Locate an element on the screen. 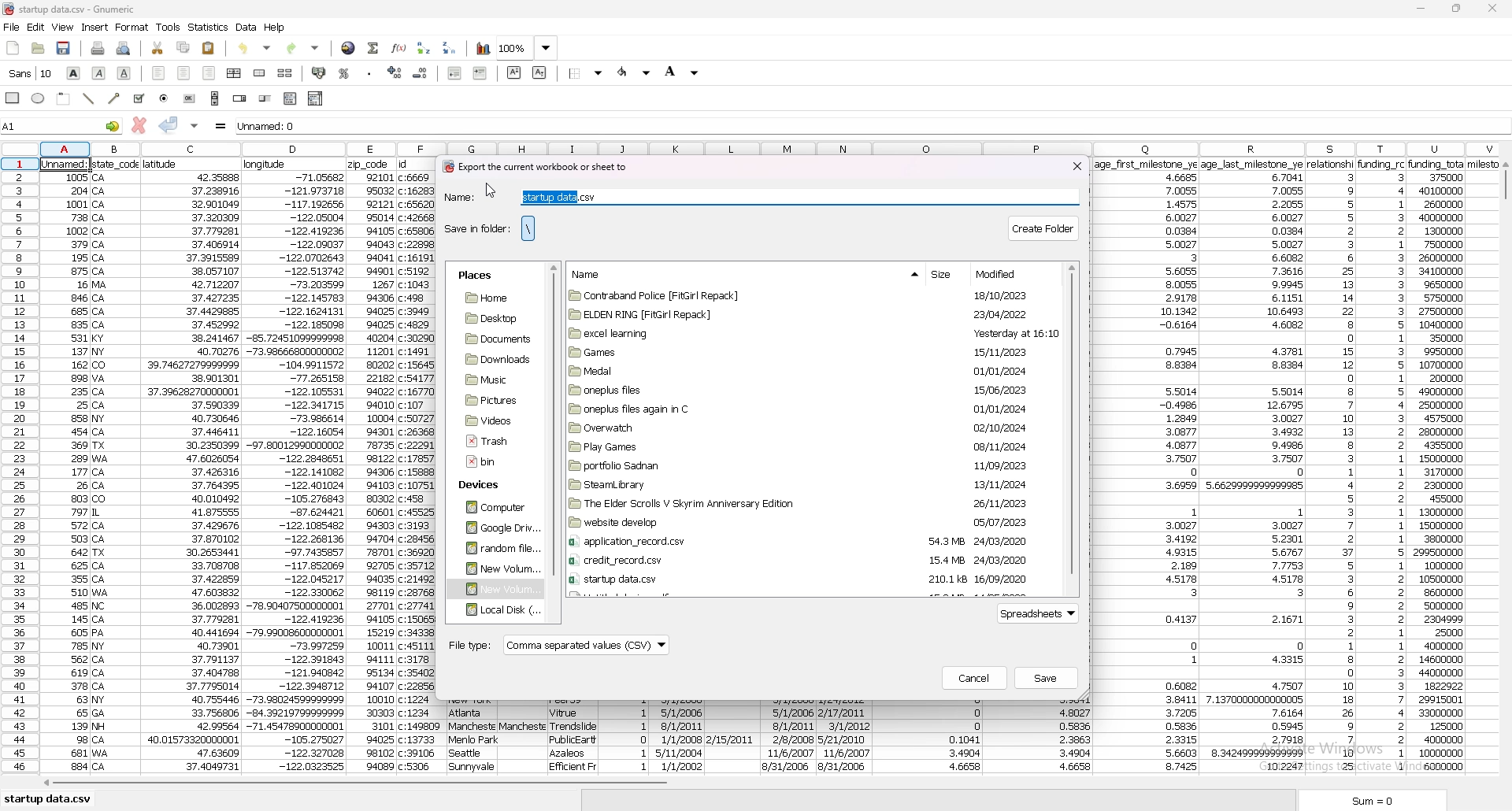 The width and height of the screenshot is (1512, 811). combo box is located at coordinates (317, 98).